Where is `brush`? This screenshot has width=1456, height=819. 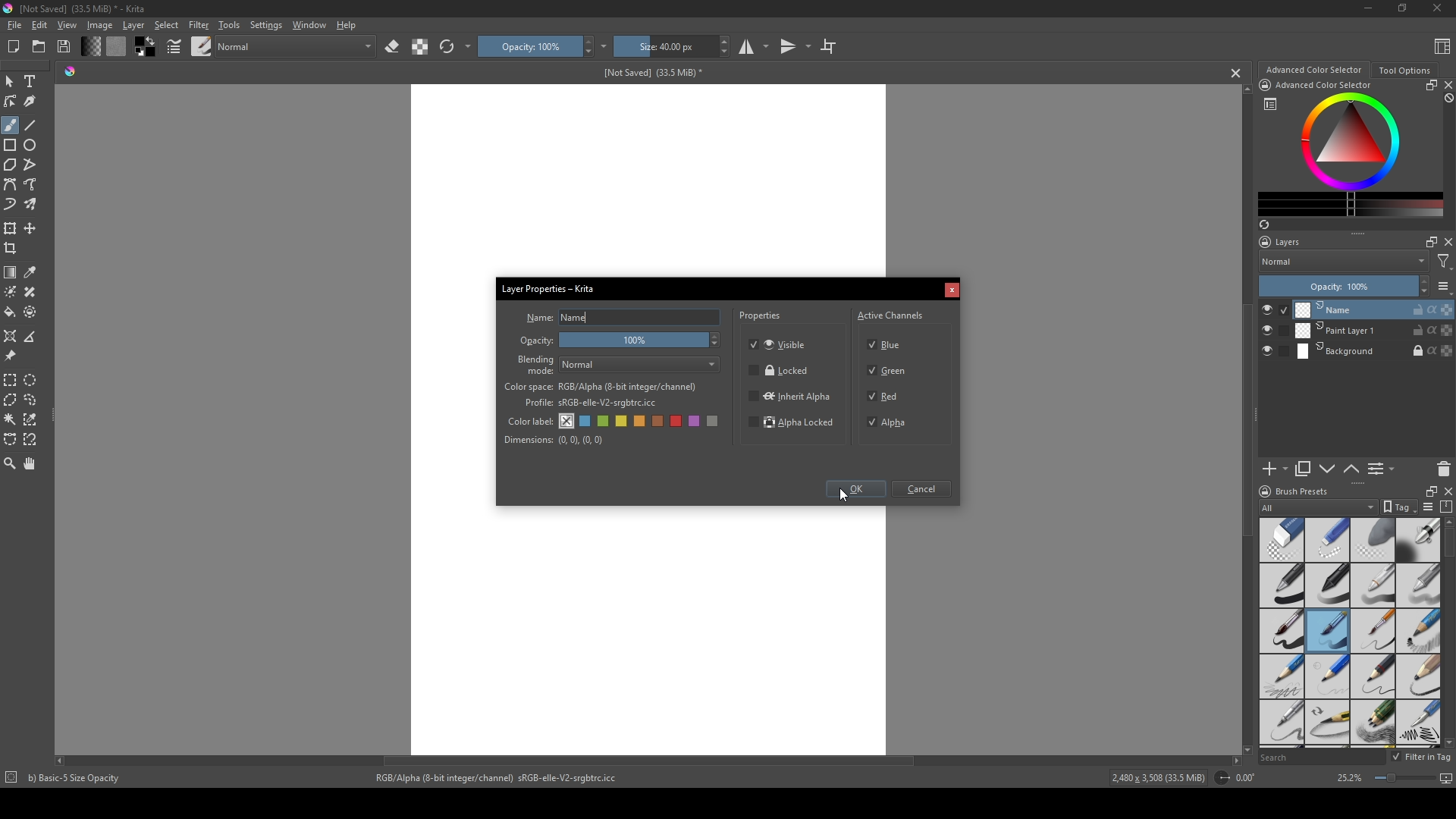 brush is located at coordinates (10, 125).